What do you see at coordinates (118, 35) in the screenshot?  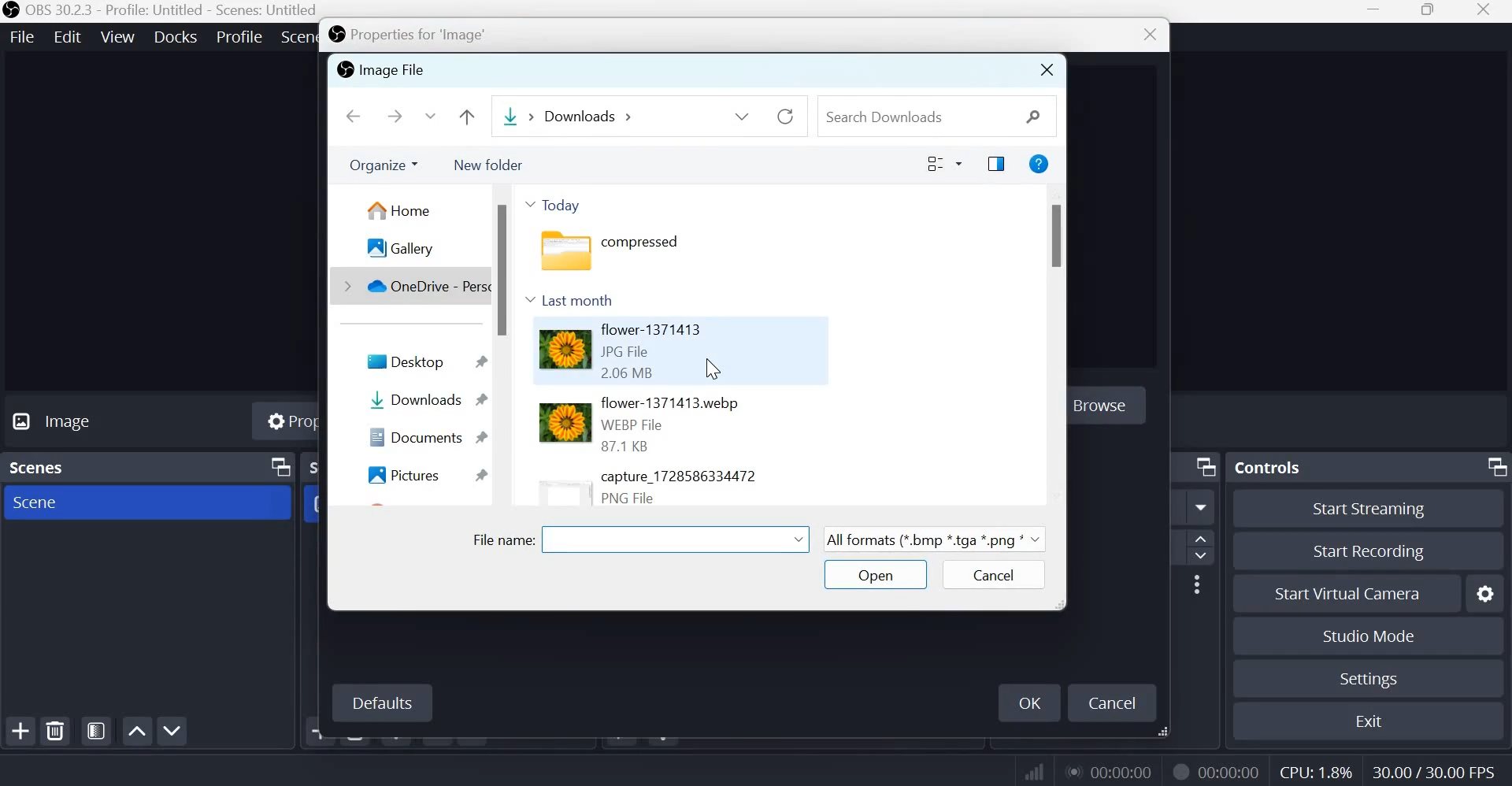 I see `view` at bounding box center [118, 35].